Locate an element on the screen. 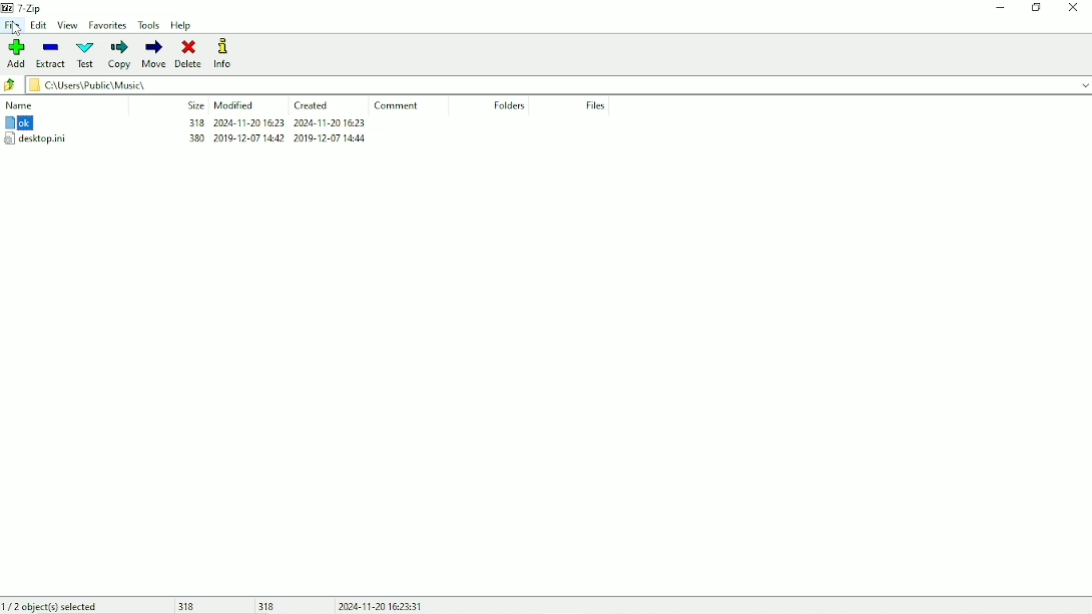  Test is located at coordinates (85, 54).